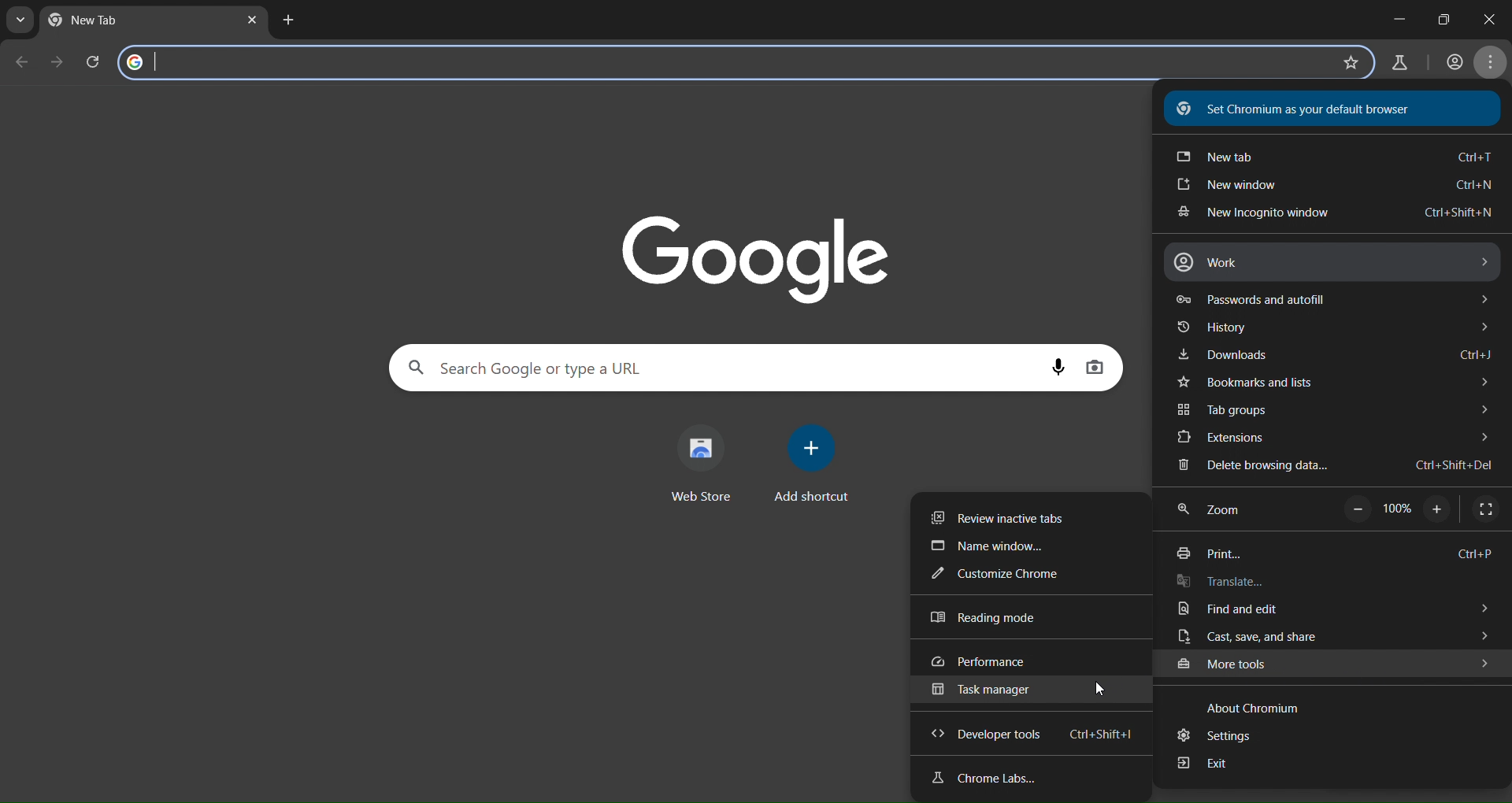 The image size is (1512, 803). Describe the element at coordinates (1331, 331) in the screenshot. I see `history` at that location.